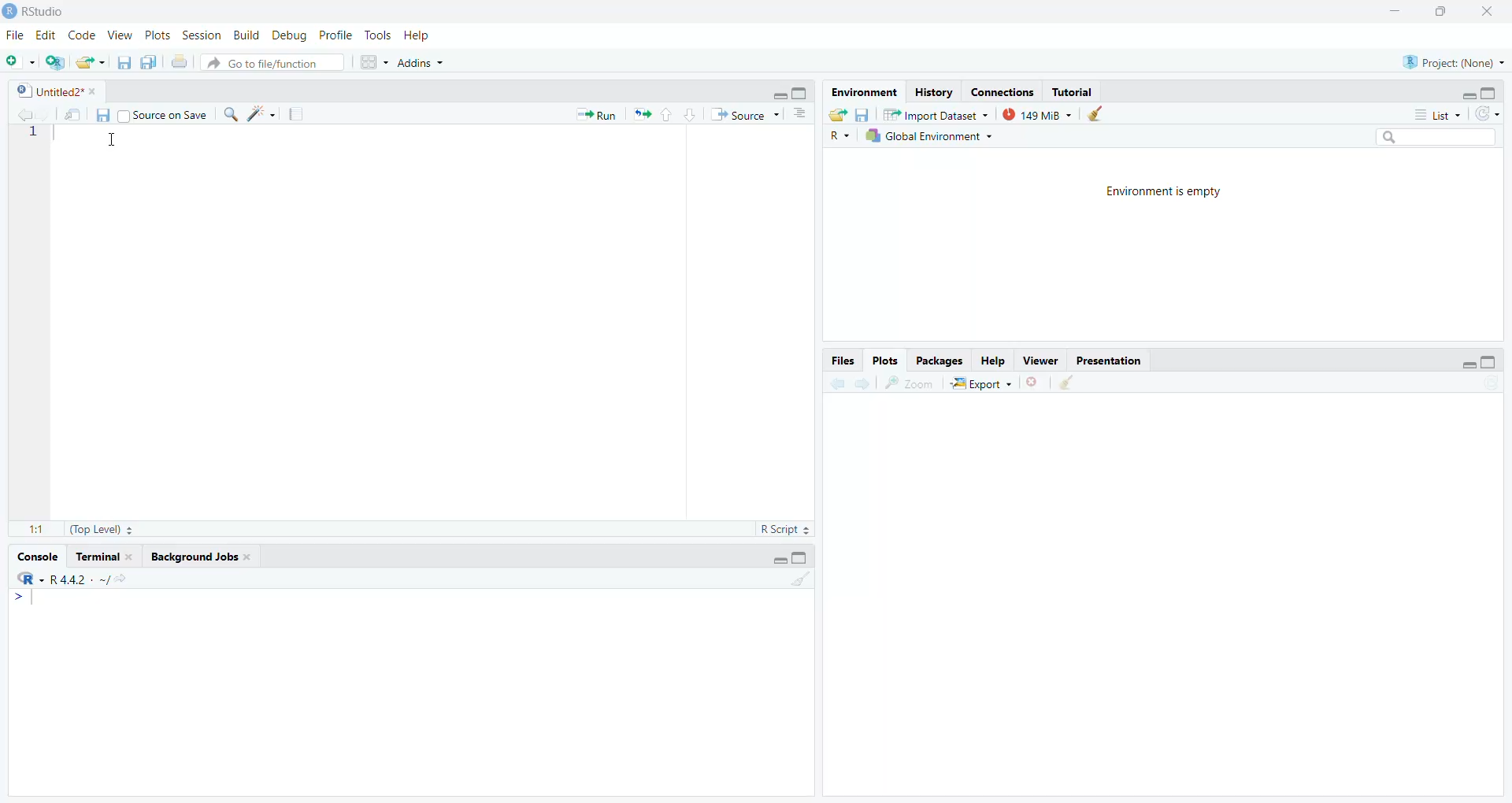 The height and width of the screenshot is (803, 1512). Describe the element at coordinates (13, 38) in the screenshot. I see `File` at that location.